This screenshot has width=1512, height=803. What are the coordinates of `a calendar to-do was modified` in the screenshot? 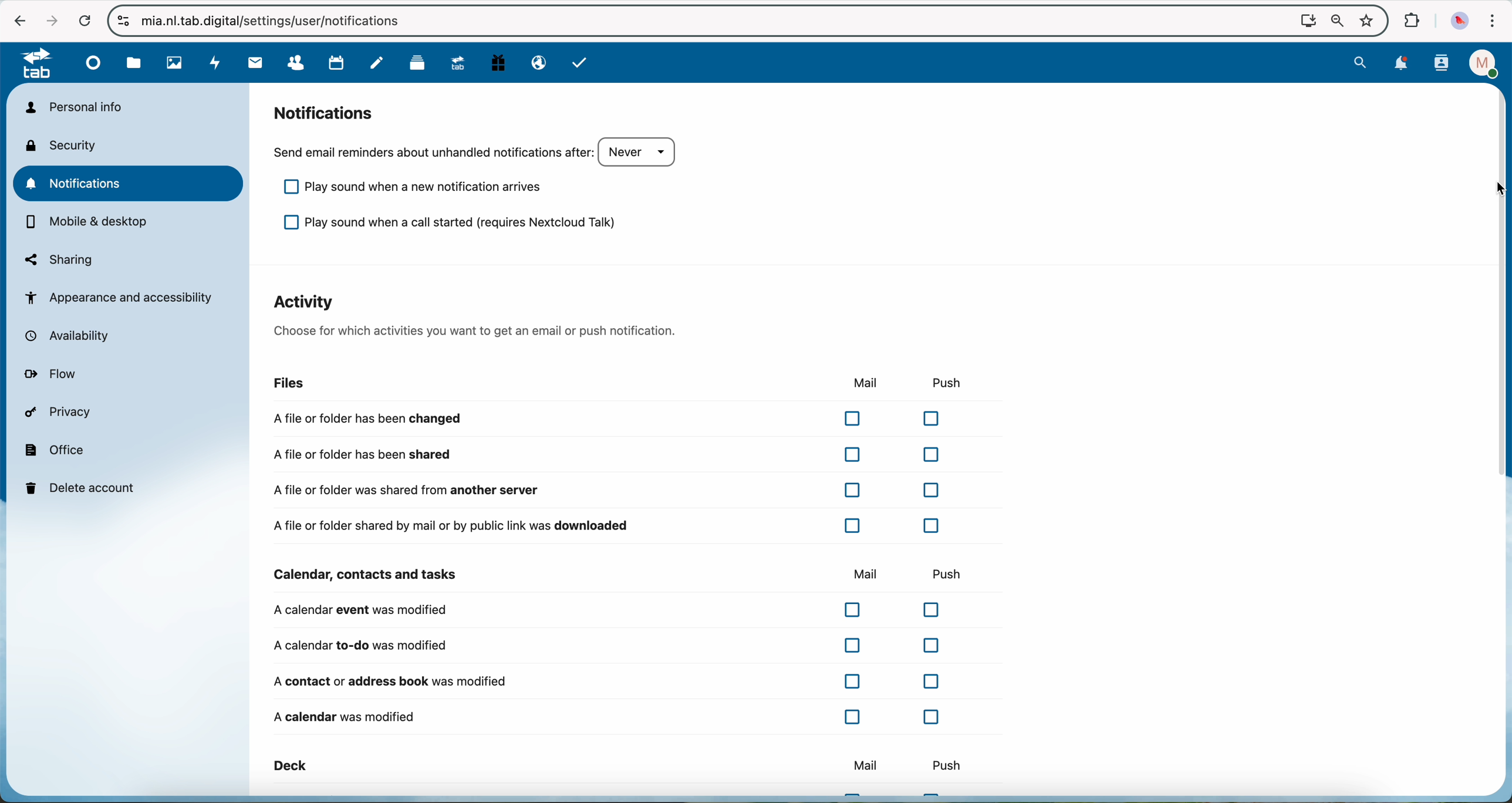 It's located at (612, 646).